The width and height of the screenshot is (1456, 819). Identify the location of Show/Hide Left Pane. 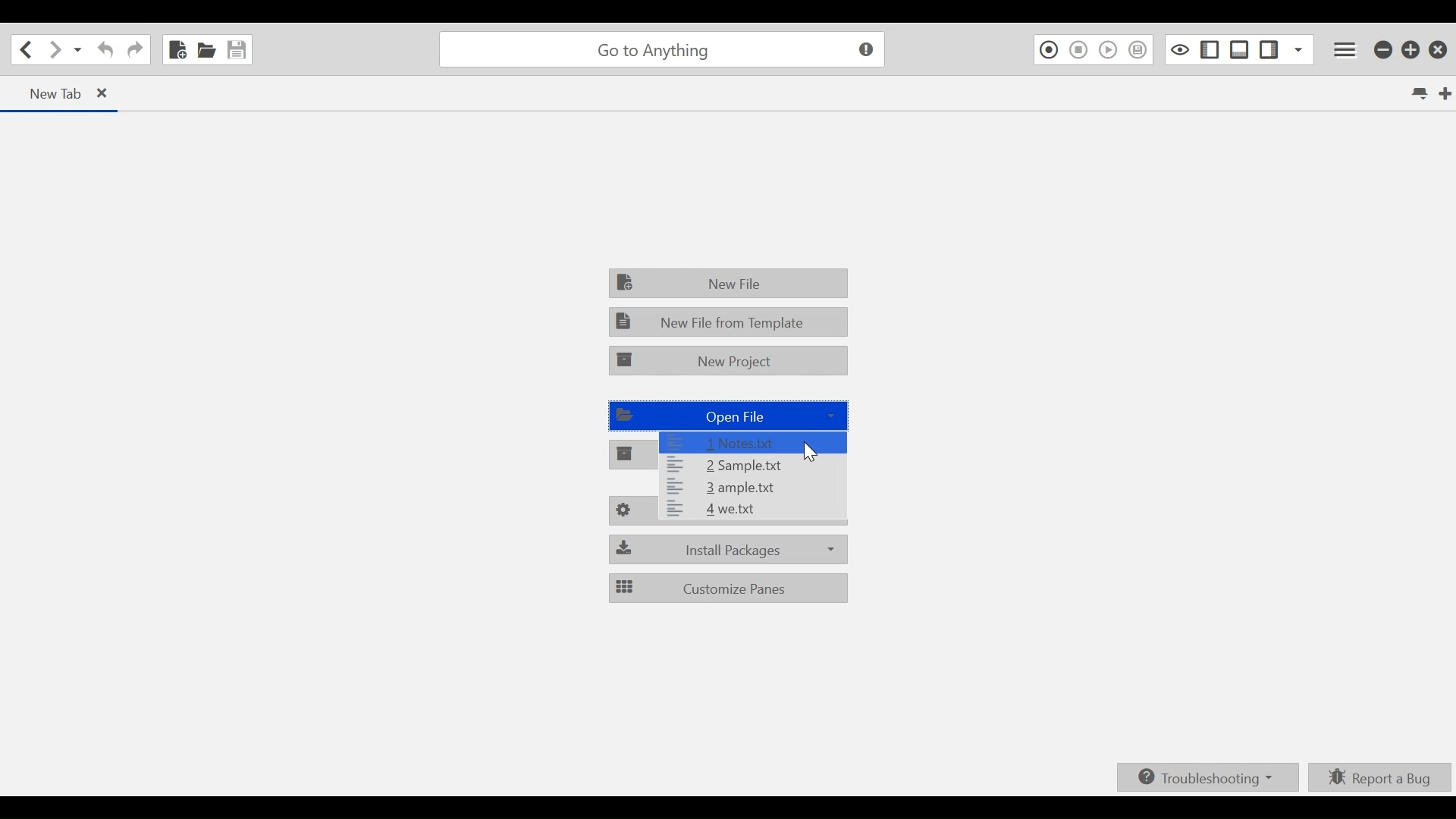
(1269, 49).